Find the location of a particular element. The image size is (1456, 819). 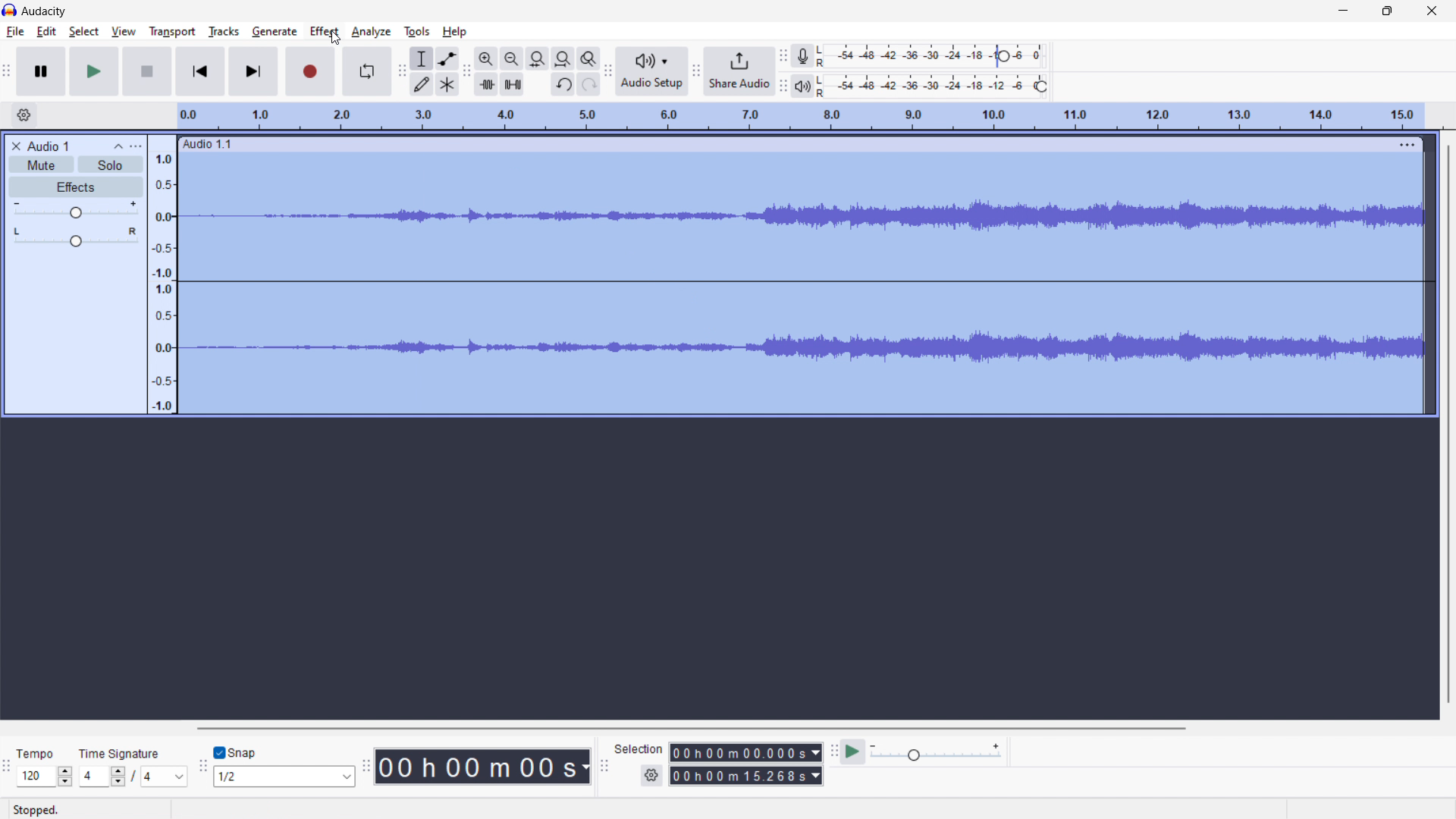

edit is located at coordinates (47, 32).